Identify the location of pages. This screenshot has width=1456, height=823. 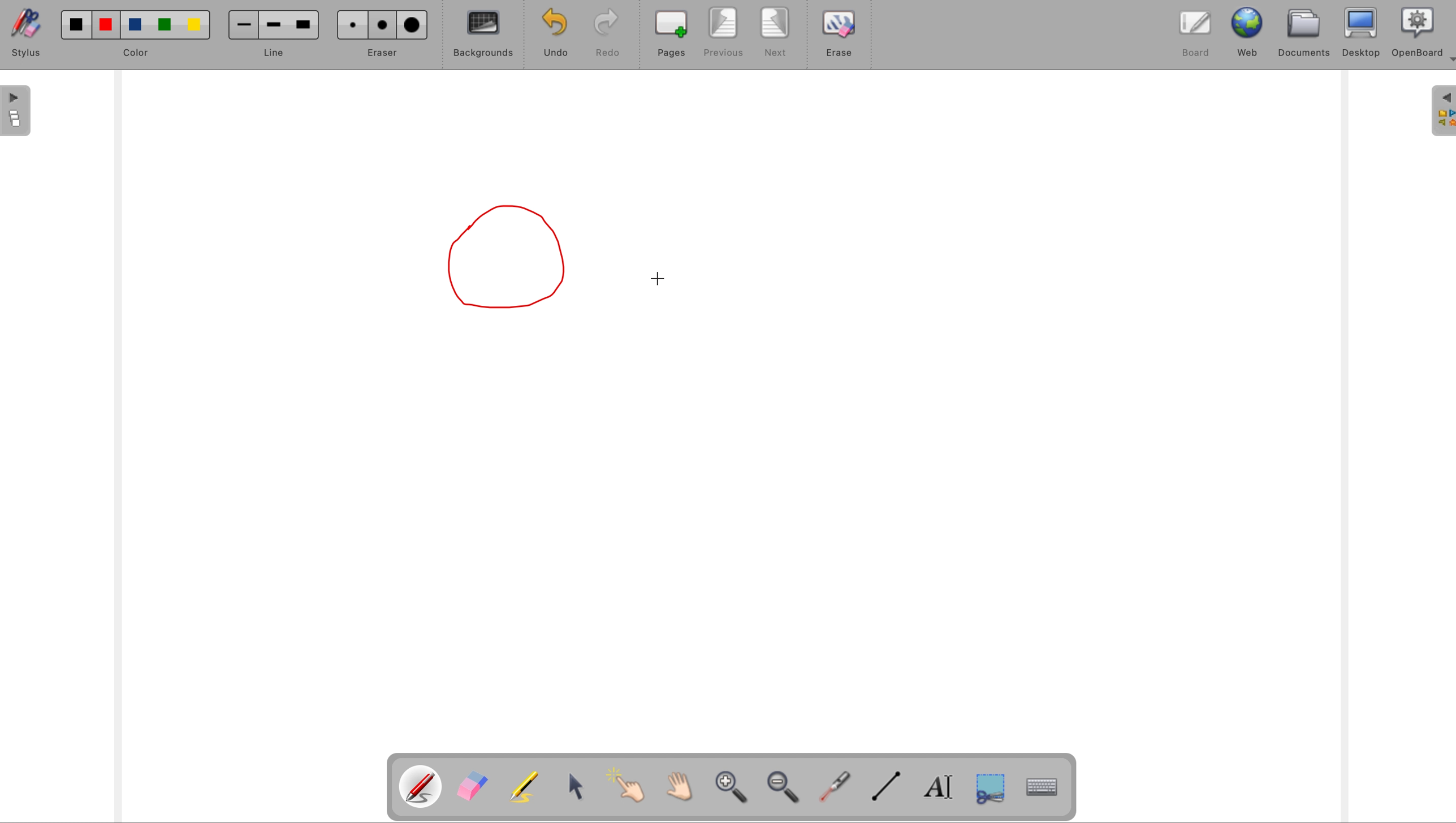
(673, 34).